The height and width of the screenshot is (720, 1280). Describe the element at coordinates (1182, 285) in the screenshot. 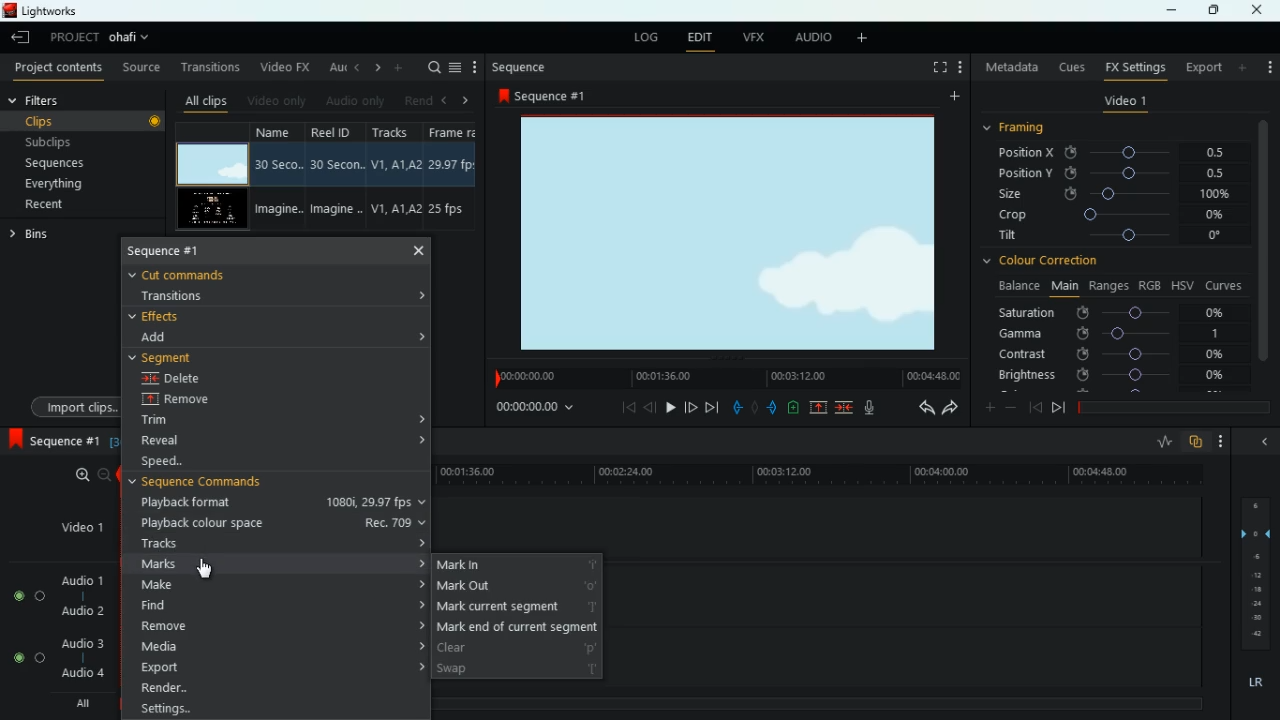

I see `hsv` at that location.